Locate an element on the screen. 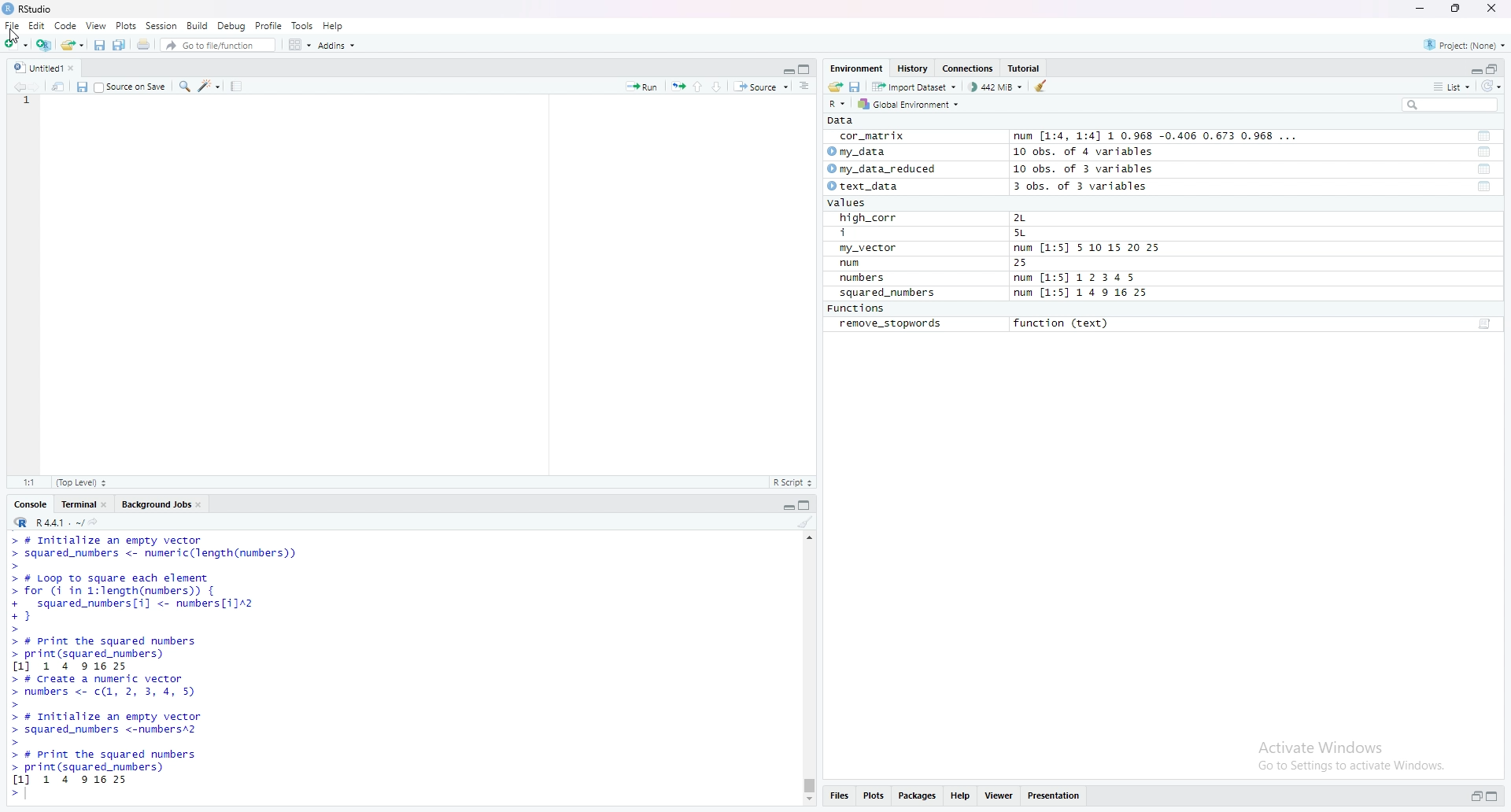 The height and width of the screenshot is (812, 1511). Cursor is located at coordinates (13, 36).